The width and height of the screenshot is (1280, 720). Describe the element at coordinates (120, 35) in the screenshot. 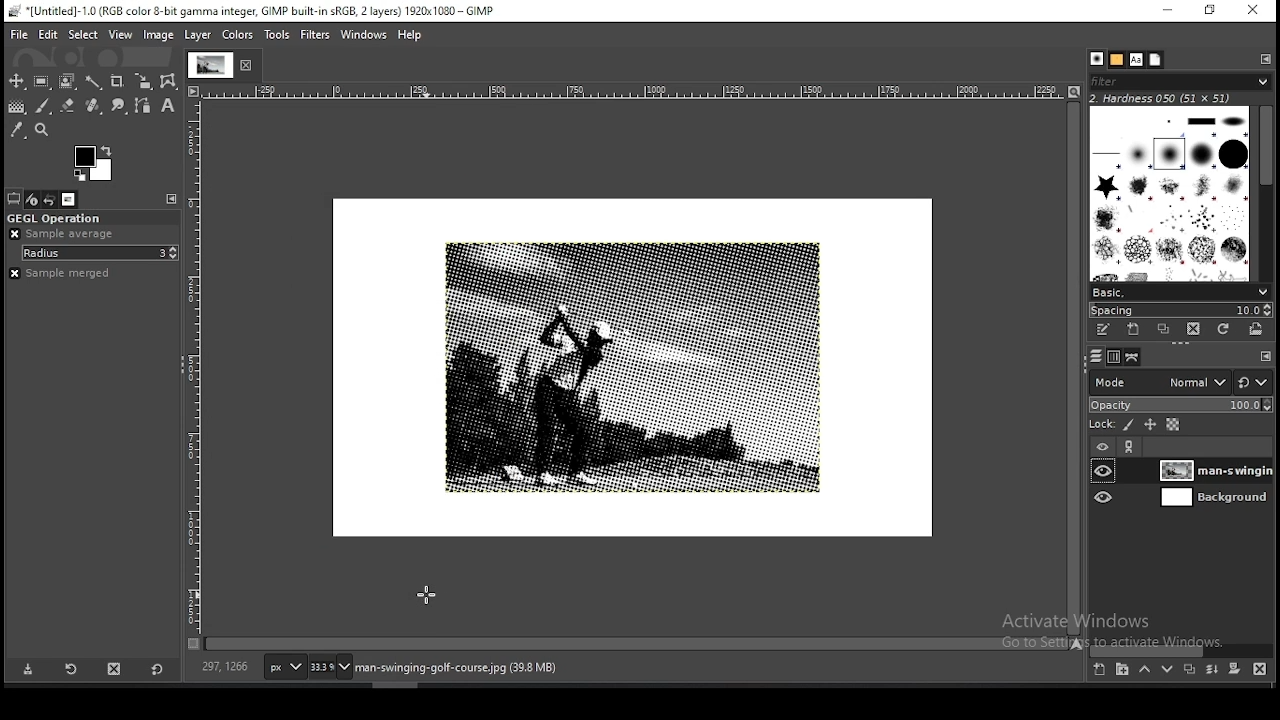

I see `view` at that location.